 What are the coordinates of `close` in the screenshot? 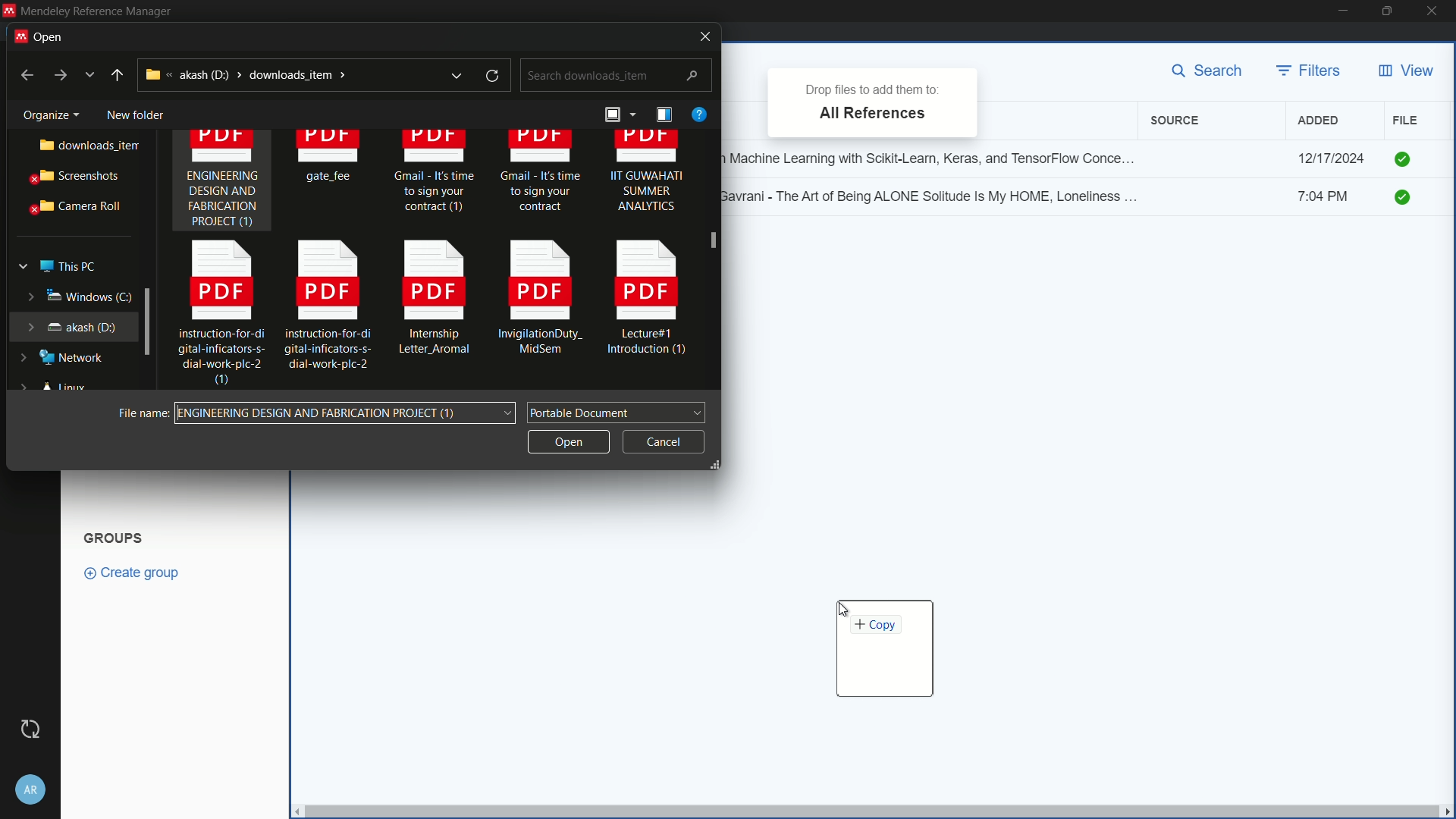 It's located at (1436, 11).